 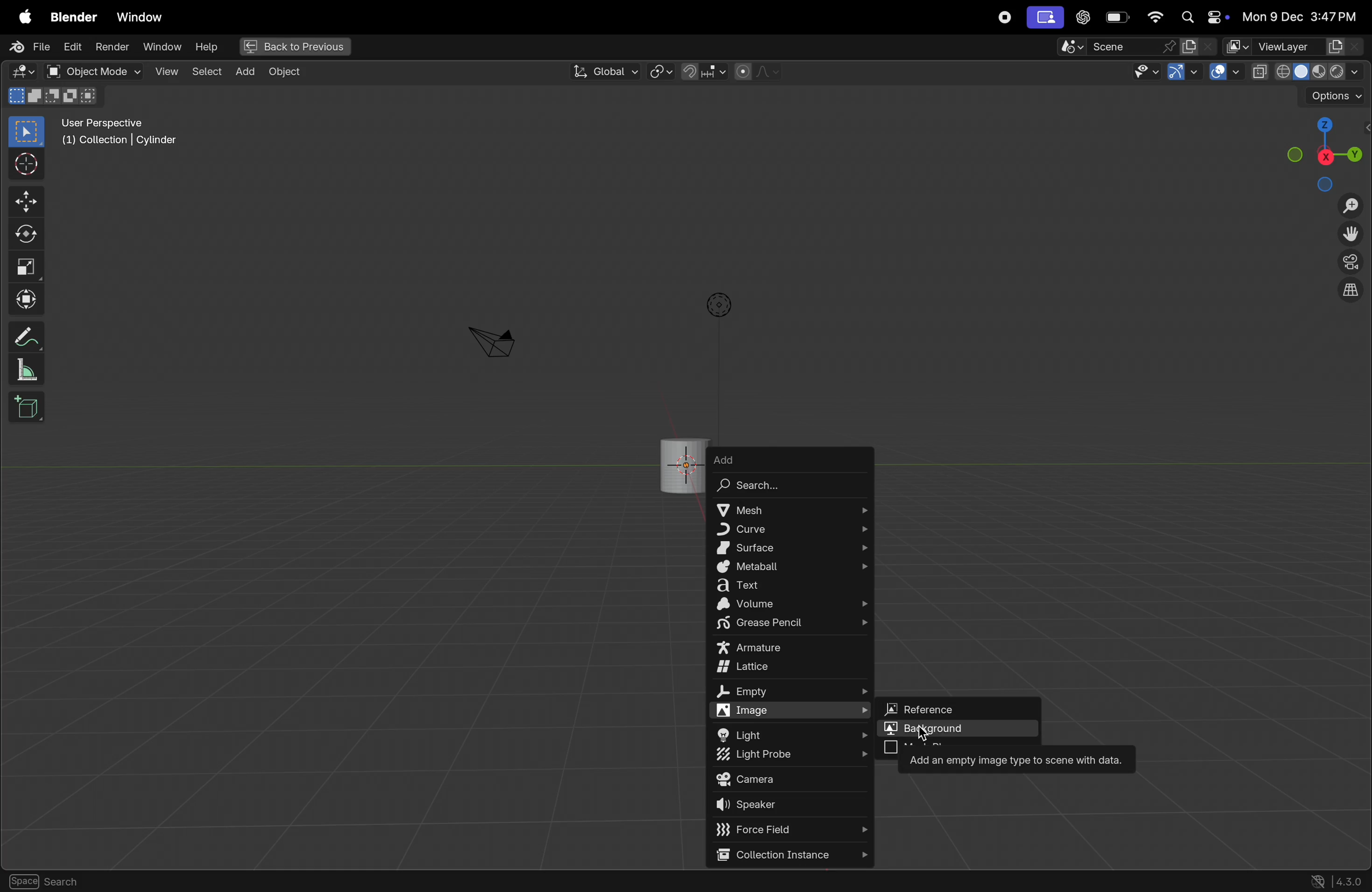 What do you see at coordinates (784, 829) in the screenshot?
I see `force fast` at bounding box center [784, 829].